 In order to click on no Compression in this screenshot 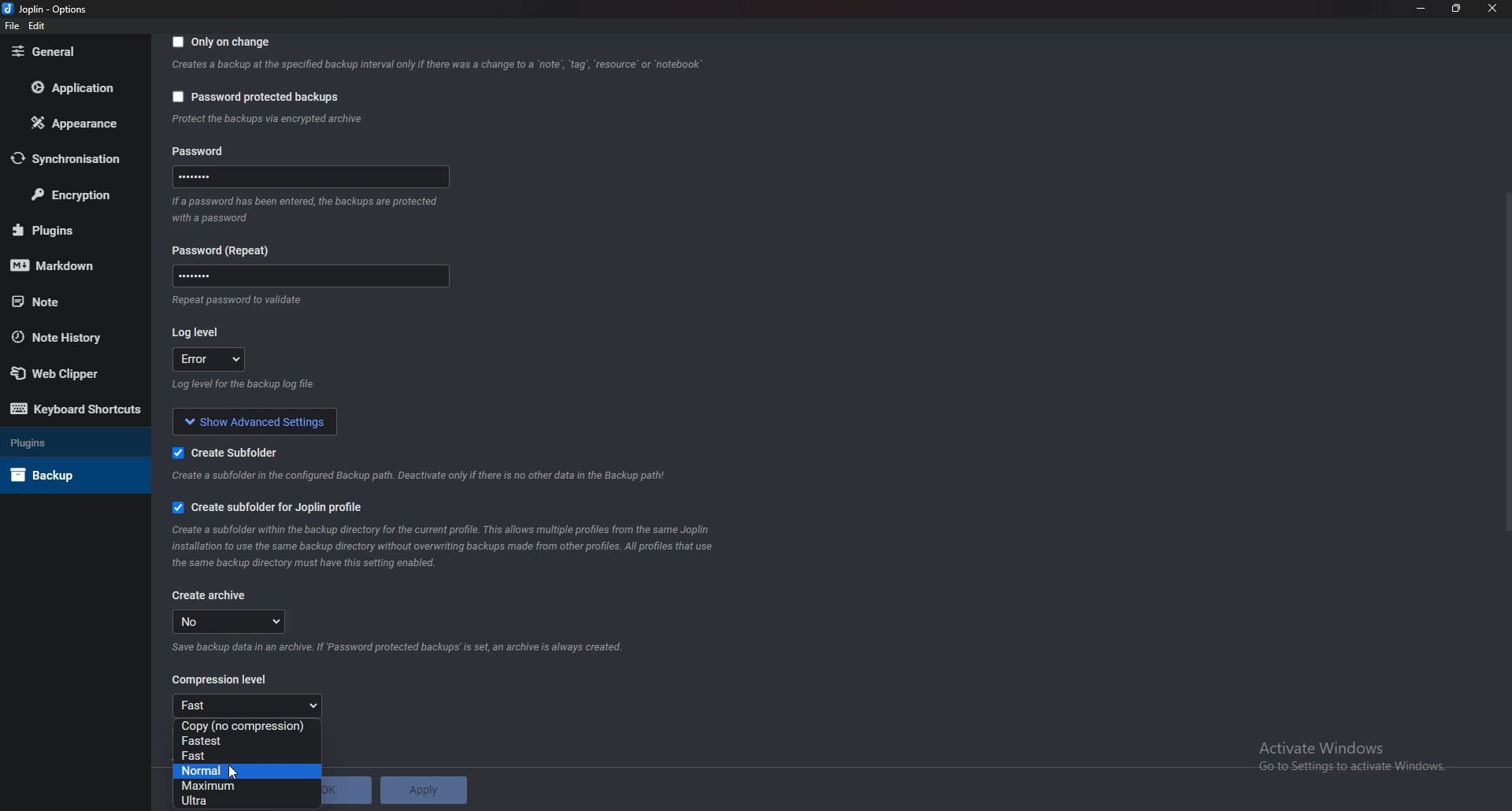, I will do `click(245, 728)`.